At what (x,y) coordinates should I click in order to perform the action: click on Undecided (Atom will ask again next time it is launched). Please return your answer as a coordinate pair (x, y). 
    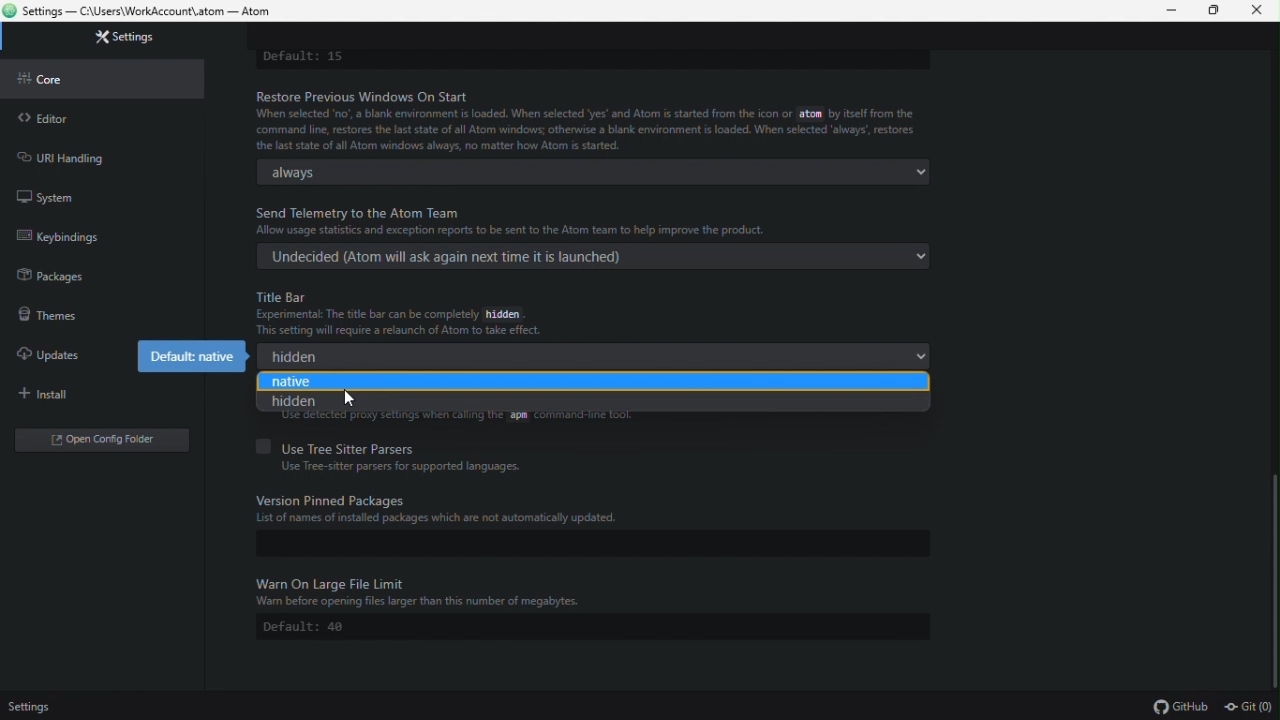
    Looking at the image, I should click on (595, 257).